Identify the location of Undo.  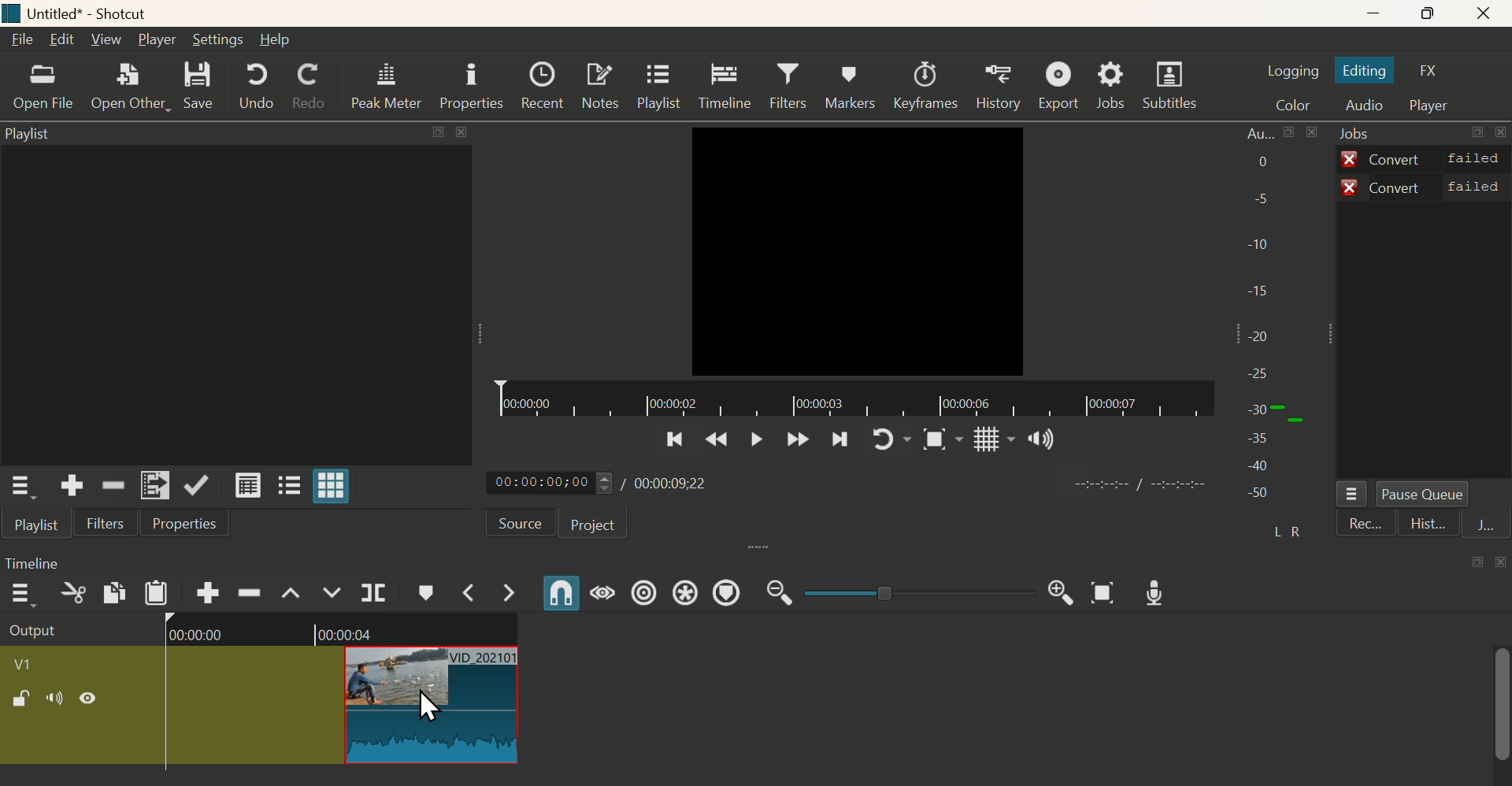
(257, 86).